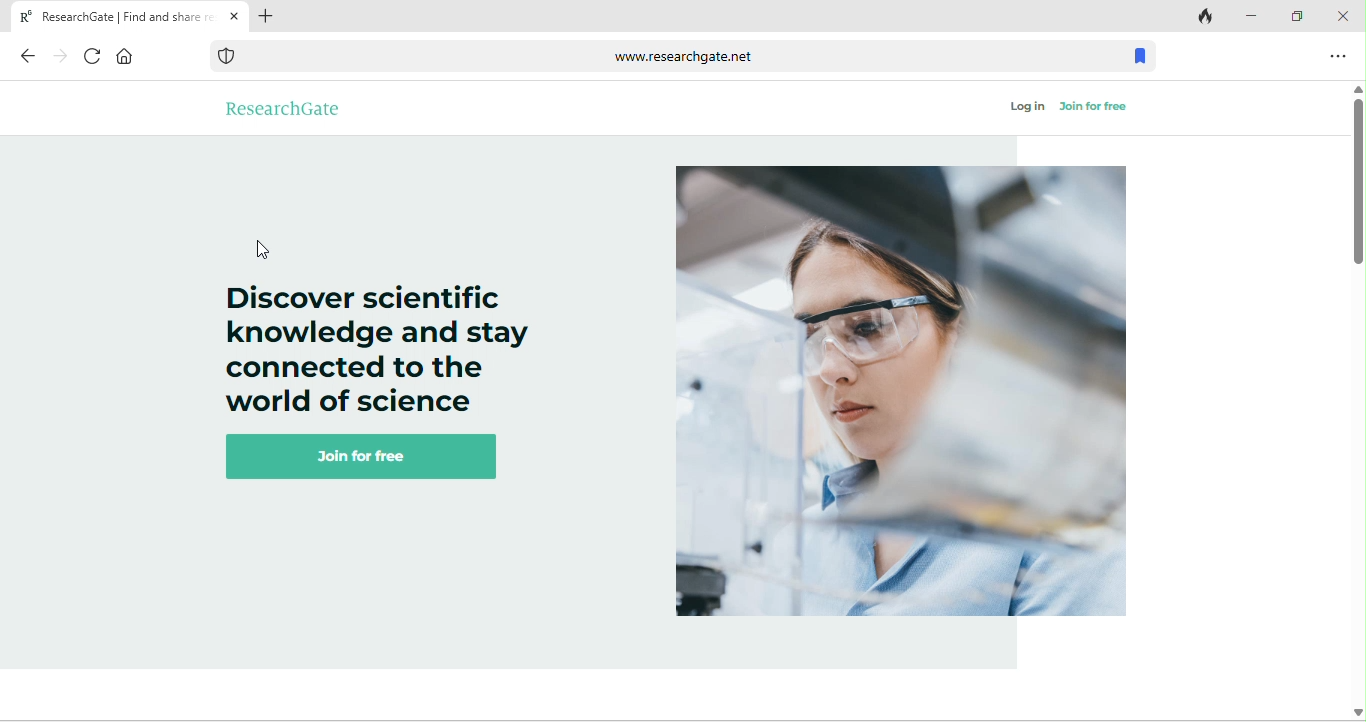  What do you see at coordinates (127, 15) in the screenshot?
I see `Current page` at bounding box center [127, 15].